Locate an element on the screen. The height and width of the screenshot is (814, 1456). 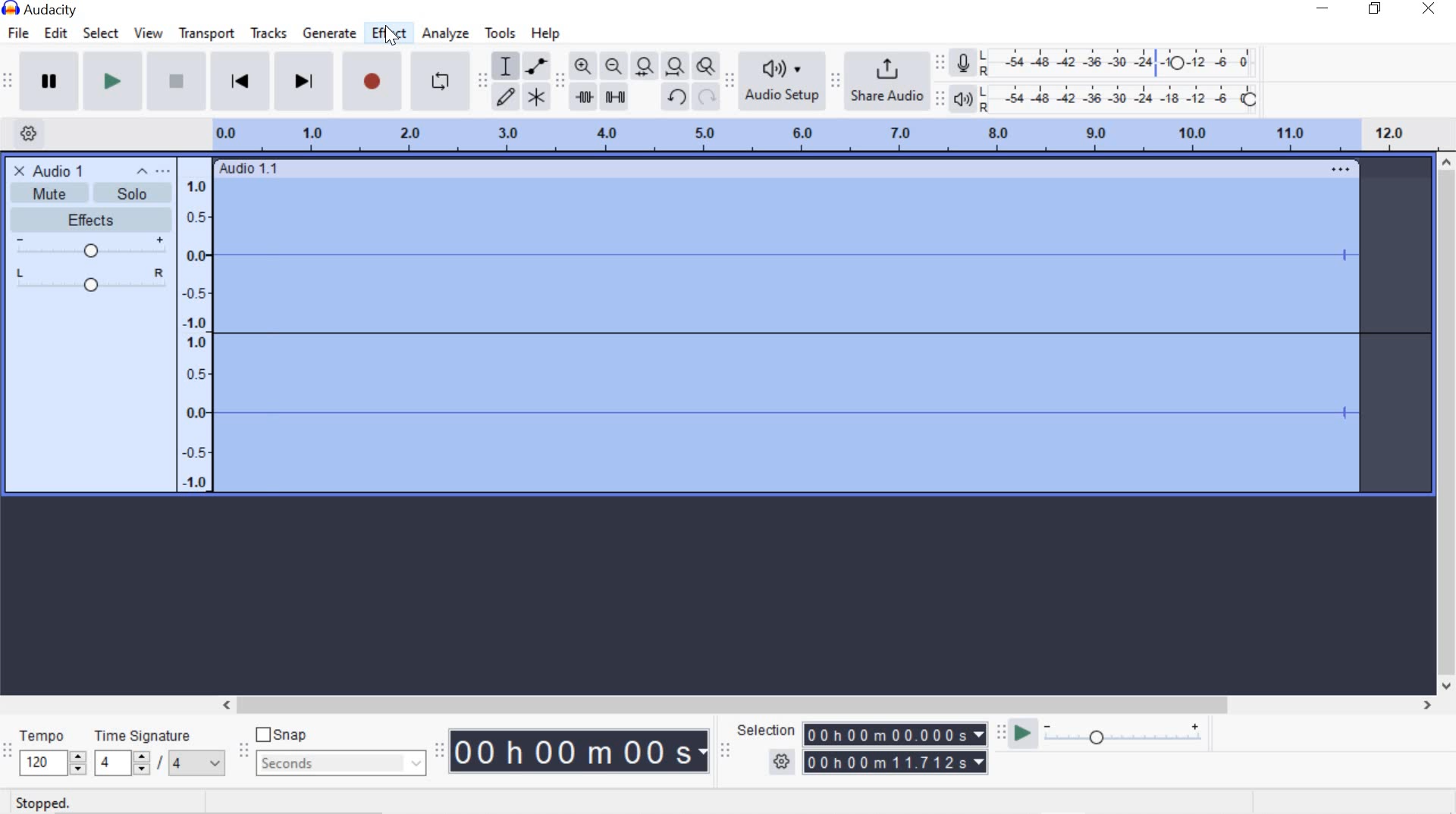
help is located at coordinates (542, 33).